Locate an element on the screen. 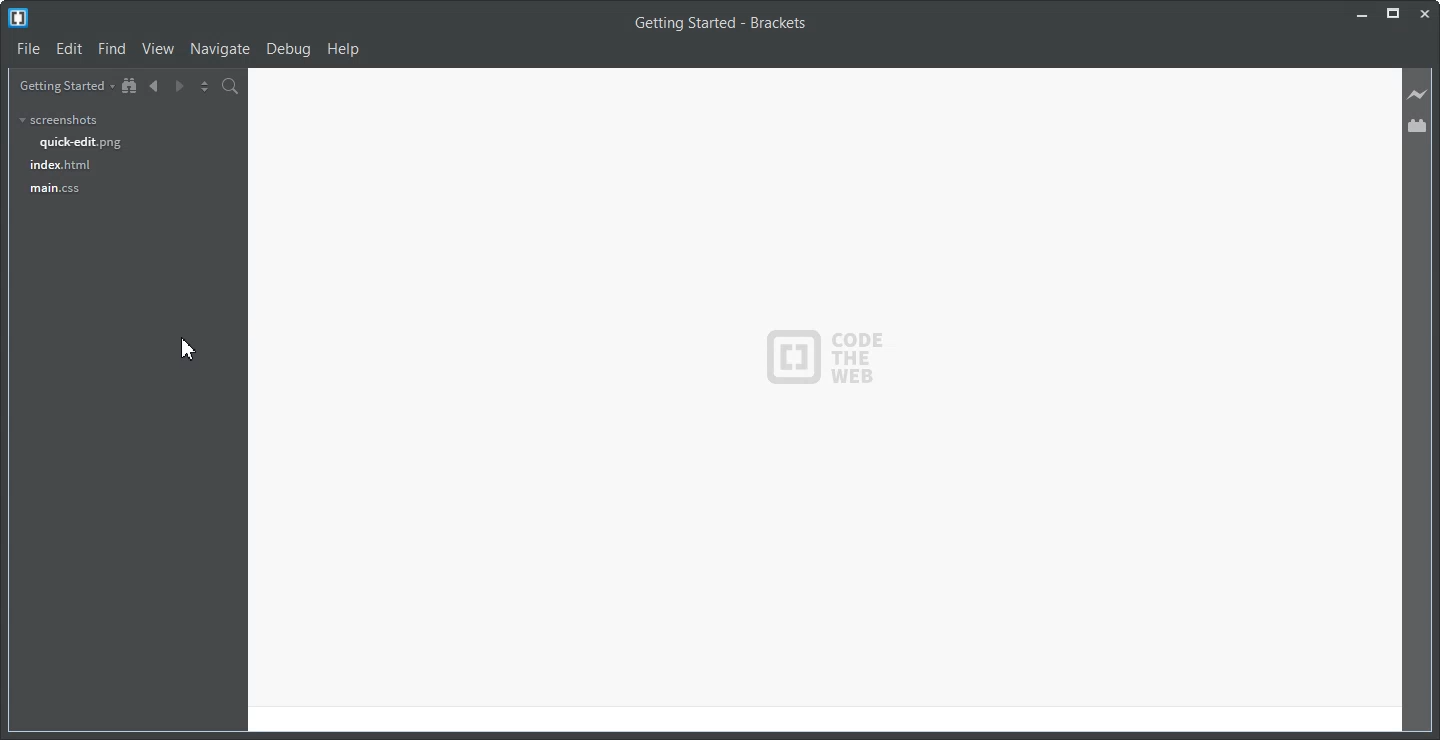 The image size is (1440, 740). Split the editor vertically and Horizontally is located at coordinates (205, 85).